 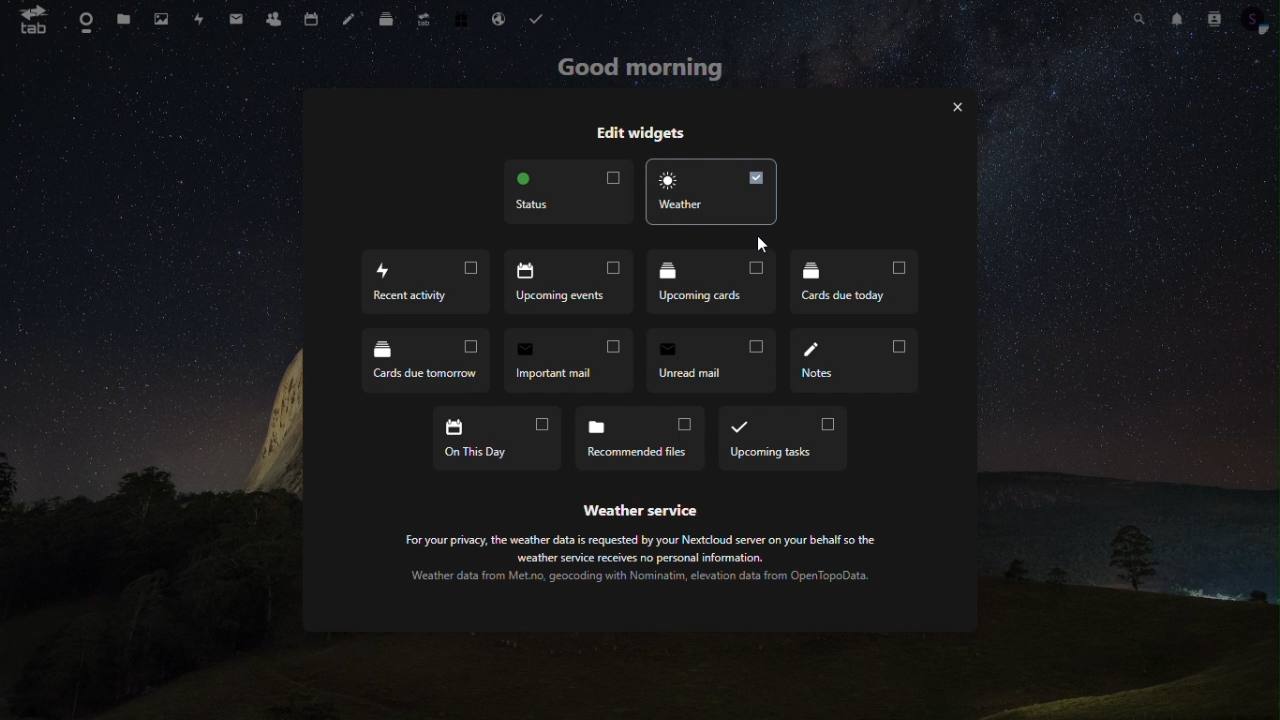 I want to click on on the day, so click(x=500, y=438).